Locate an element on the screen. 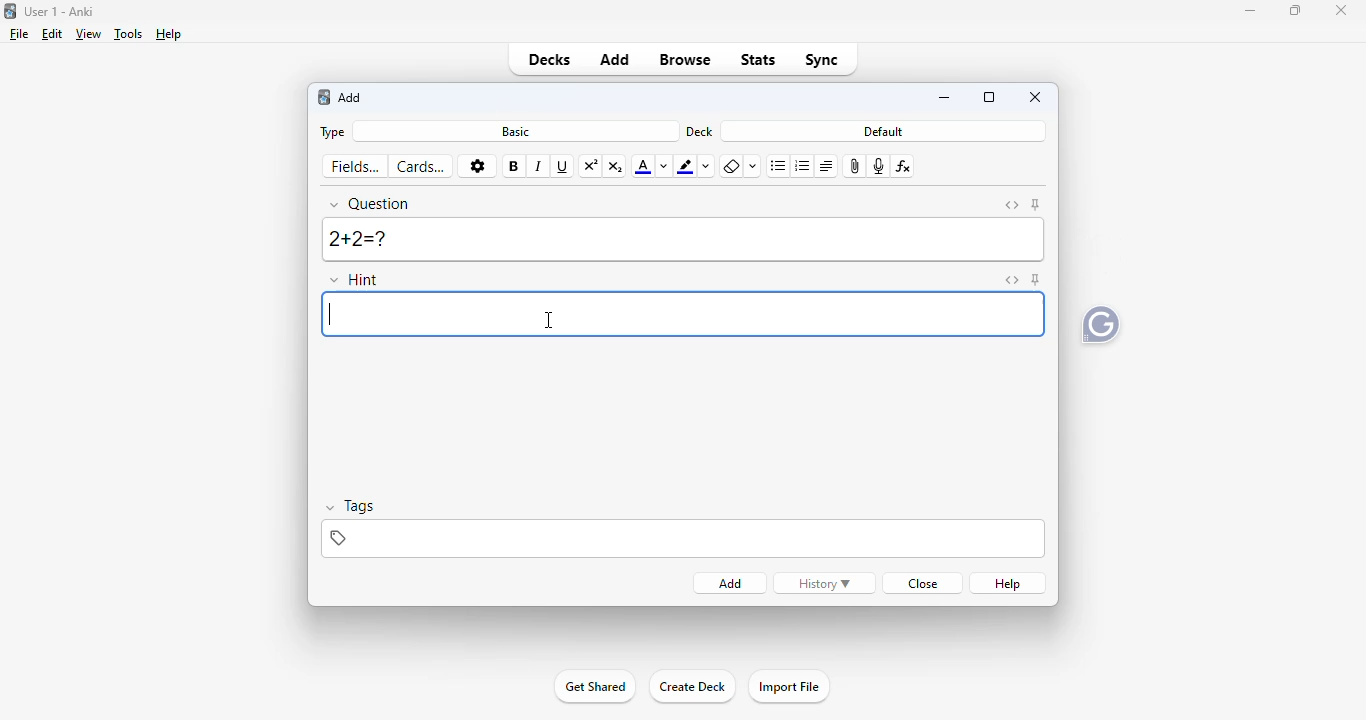 The height and width of the screenshot is (720, 1366). superscript is located at coordinates (590, 167).